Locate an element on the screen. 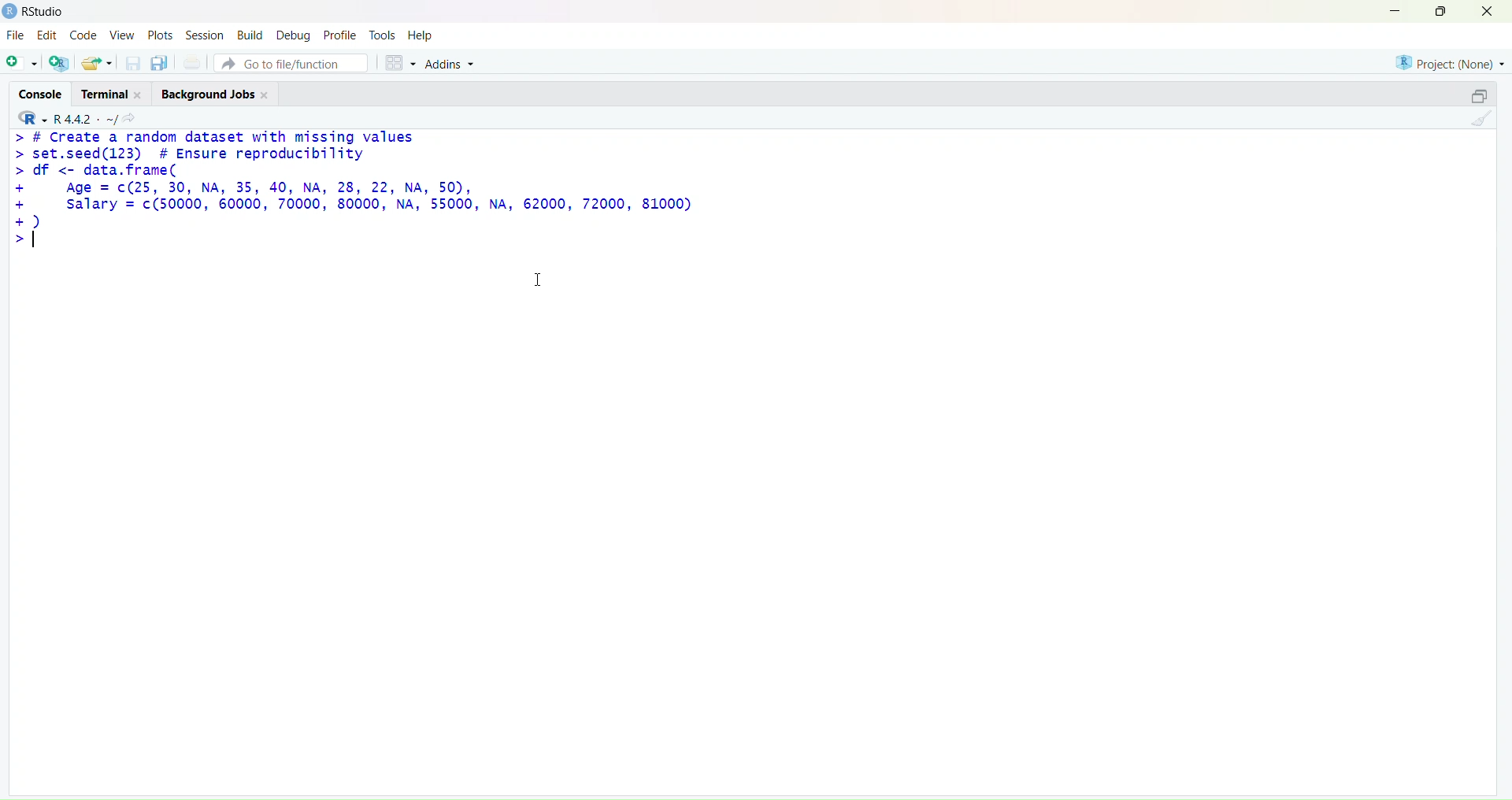 The height and width of the screenshot is (800, 1512). save current documet is located at coordinates (132, 64).